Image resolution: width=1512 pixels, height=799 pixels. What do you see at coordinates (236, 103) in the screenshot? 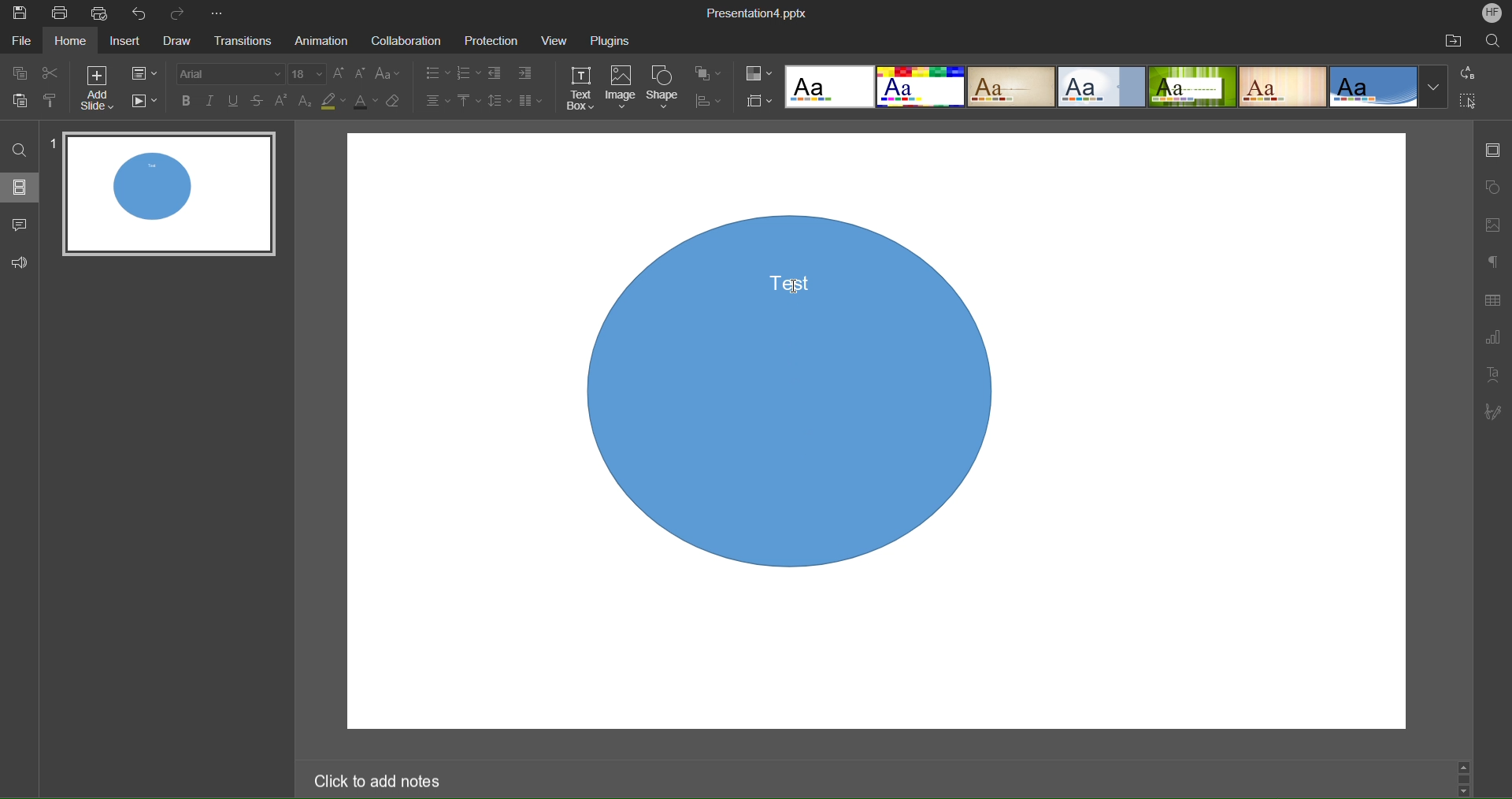
I see `Underline` at bounding box center [236, 103].